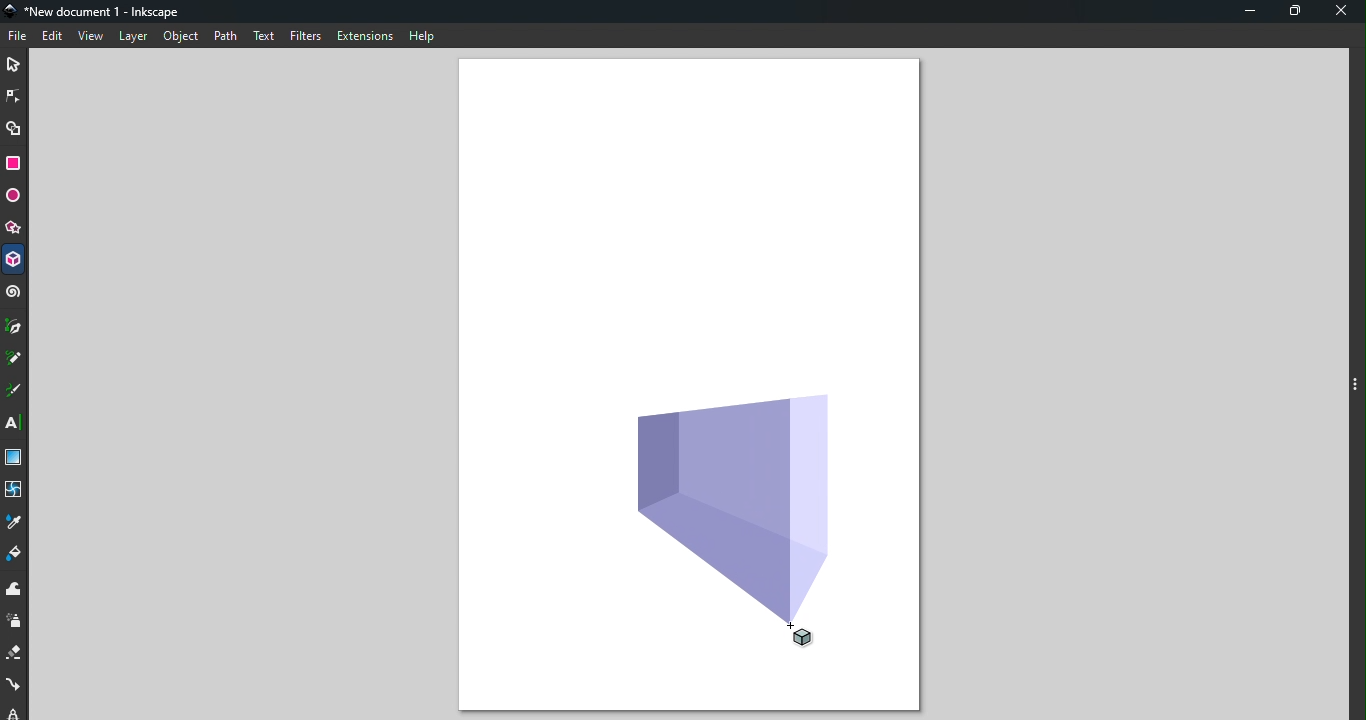  I want to click on Tweak tool, so click(17, 591).